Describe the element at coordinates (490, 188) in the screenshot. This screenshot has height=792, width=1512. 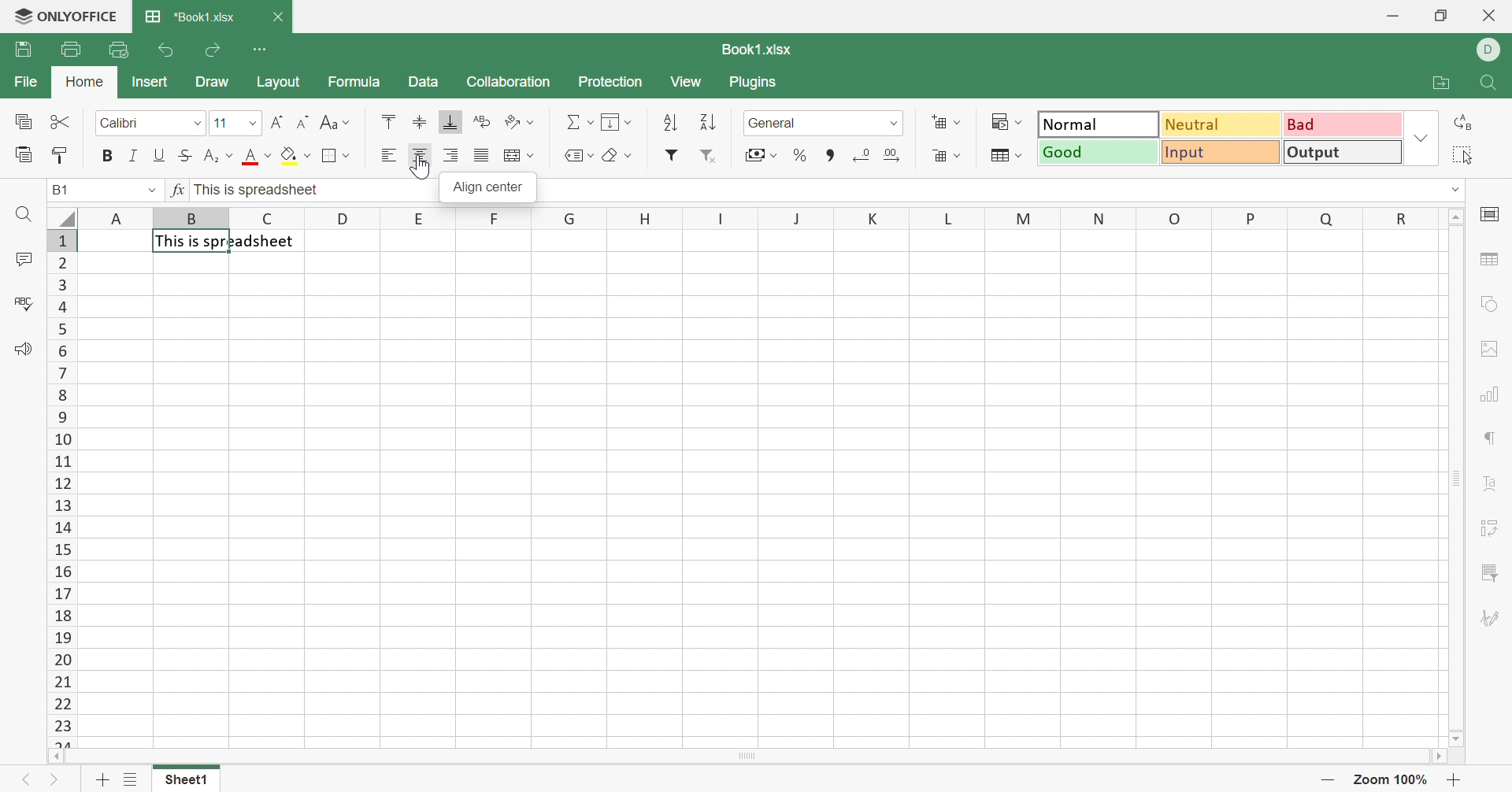
I see `Align center` at that location.